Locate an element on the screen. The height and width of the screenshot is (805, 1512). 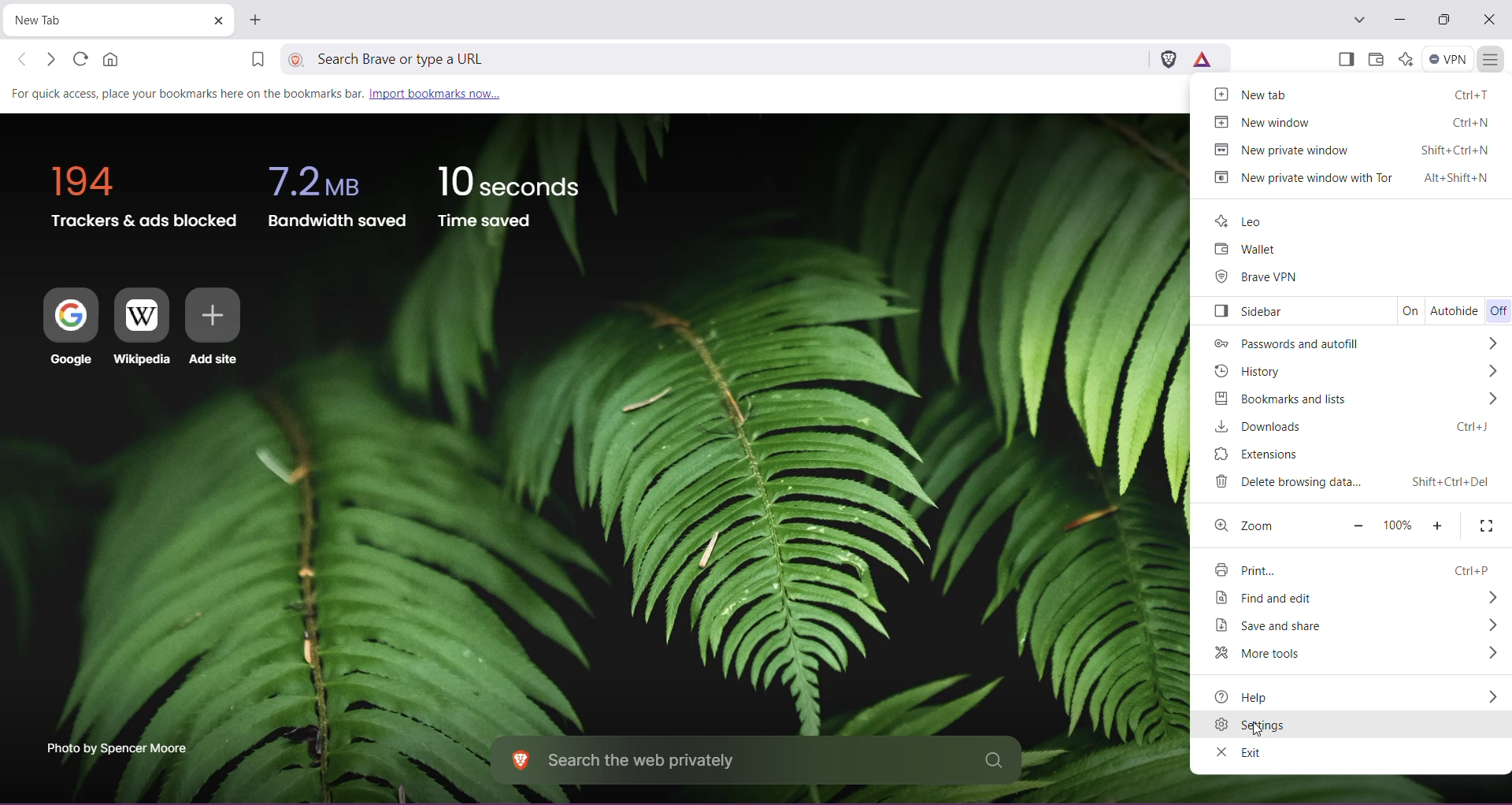
Leo AI is located at coordinates (1404, 58).